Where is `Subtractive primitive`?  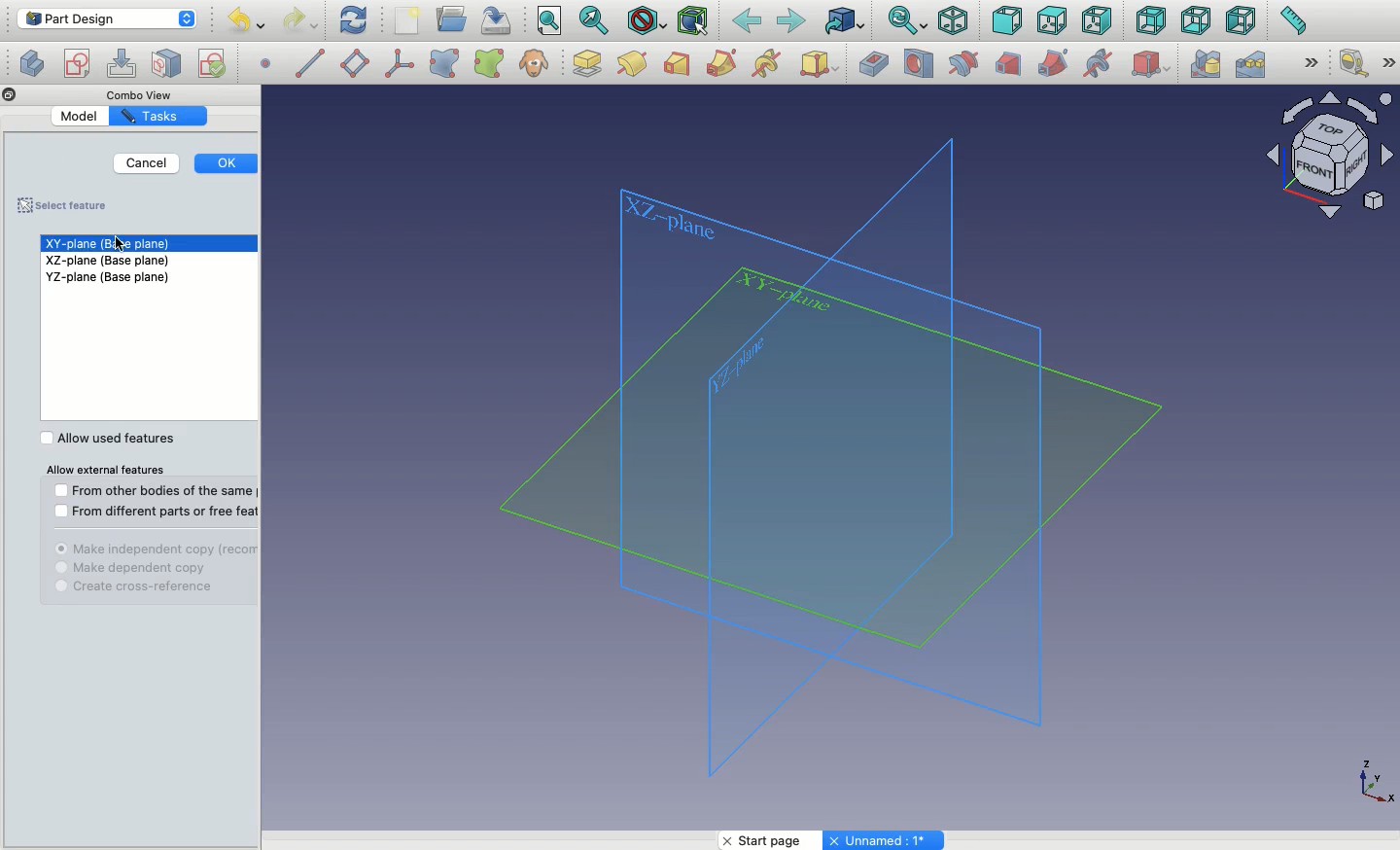 Subtractive primitive is located at coordinates (1151, 66).